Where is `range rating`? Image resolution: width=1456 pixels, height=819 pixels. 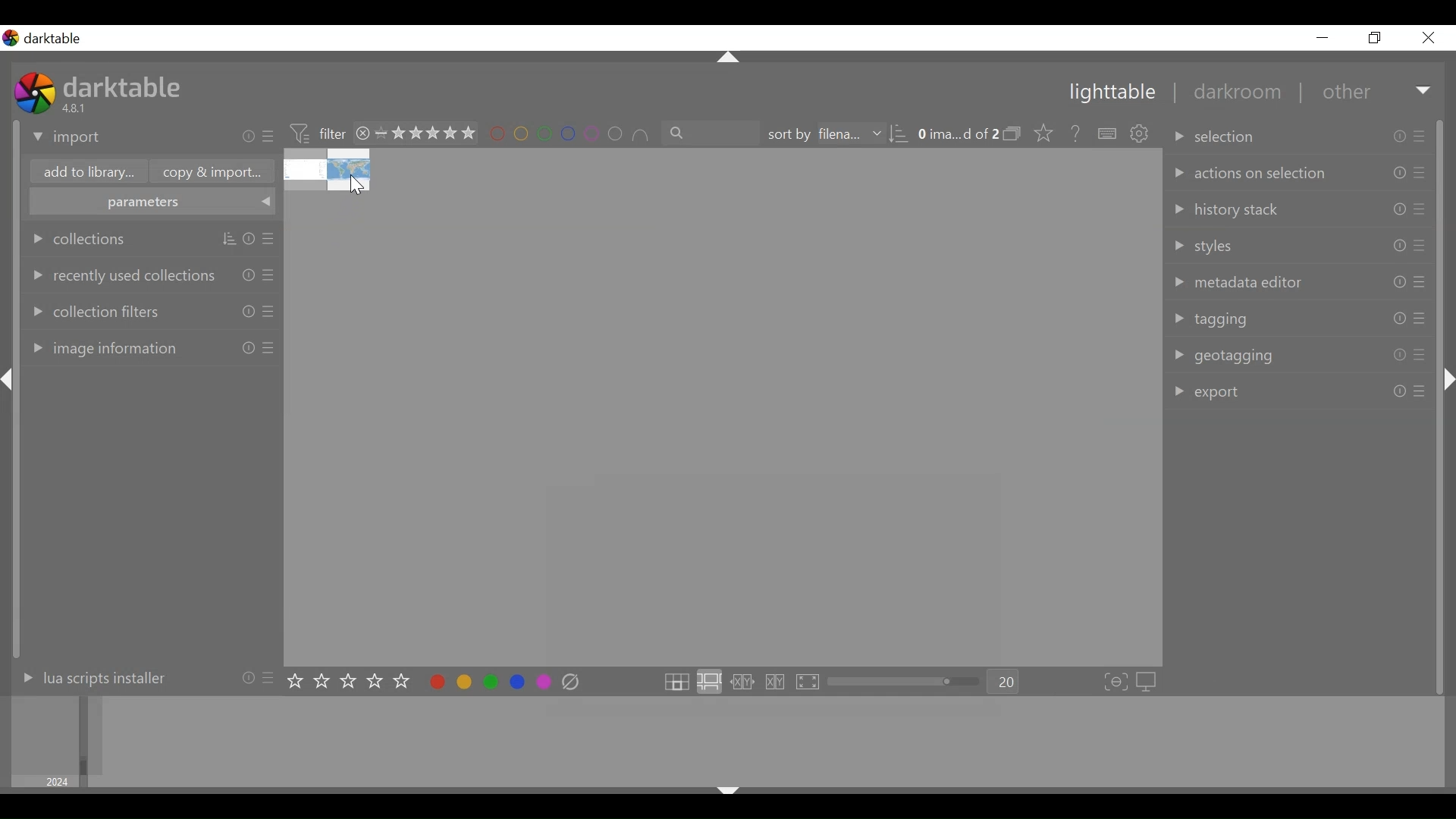 range rating is located at coordinates (416, 134).